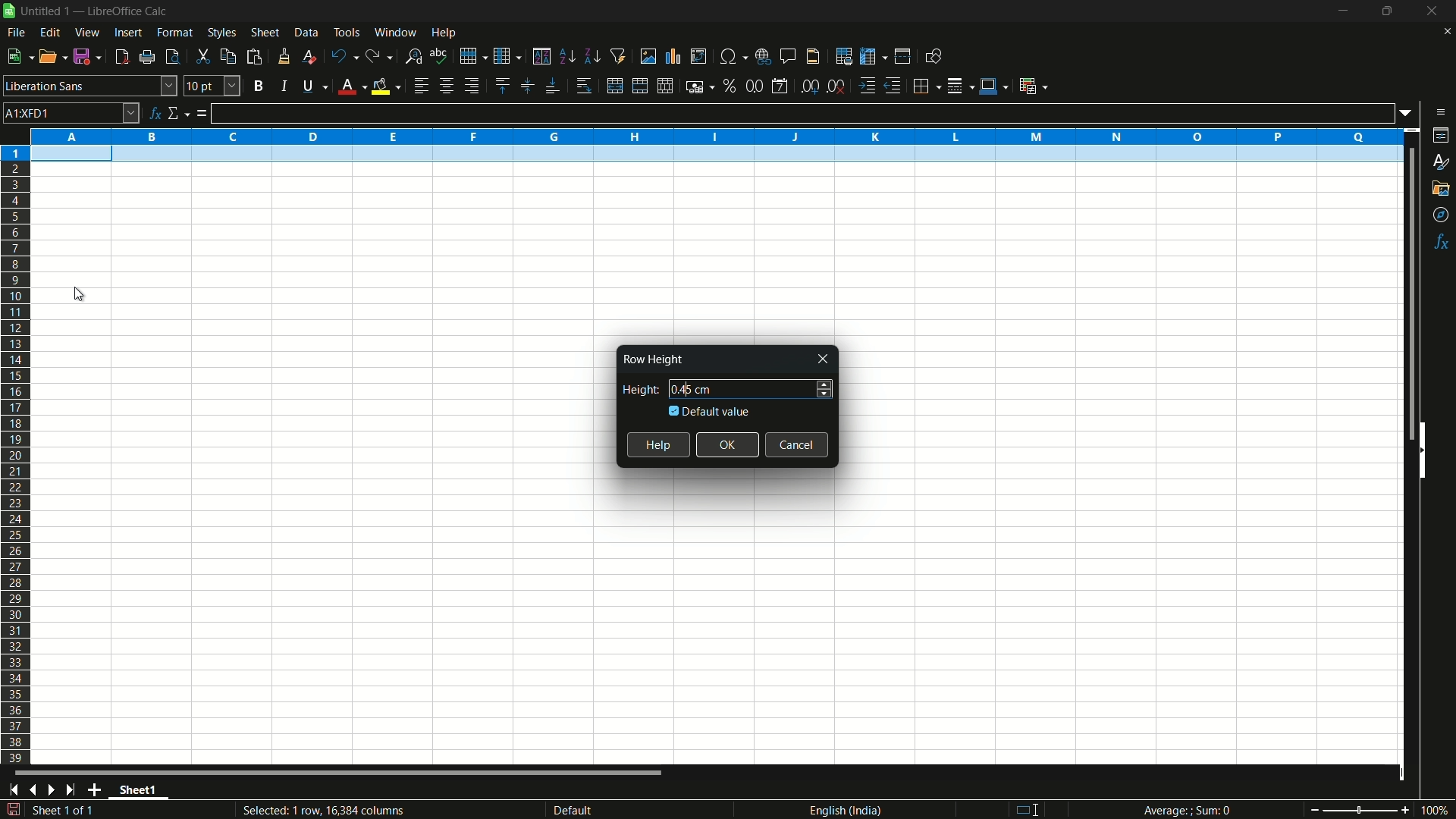  I want to click on styles, so click(1439, 163).